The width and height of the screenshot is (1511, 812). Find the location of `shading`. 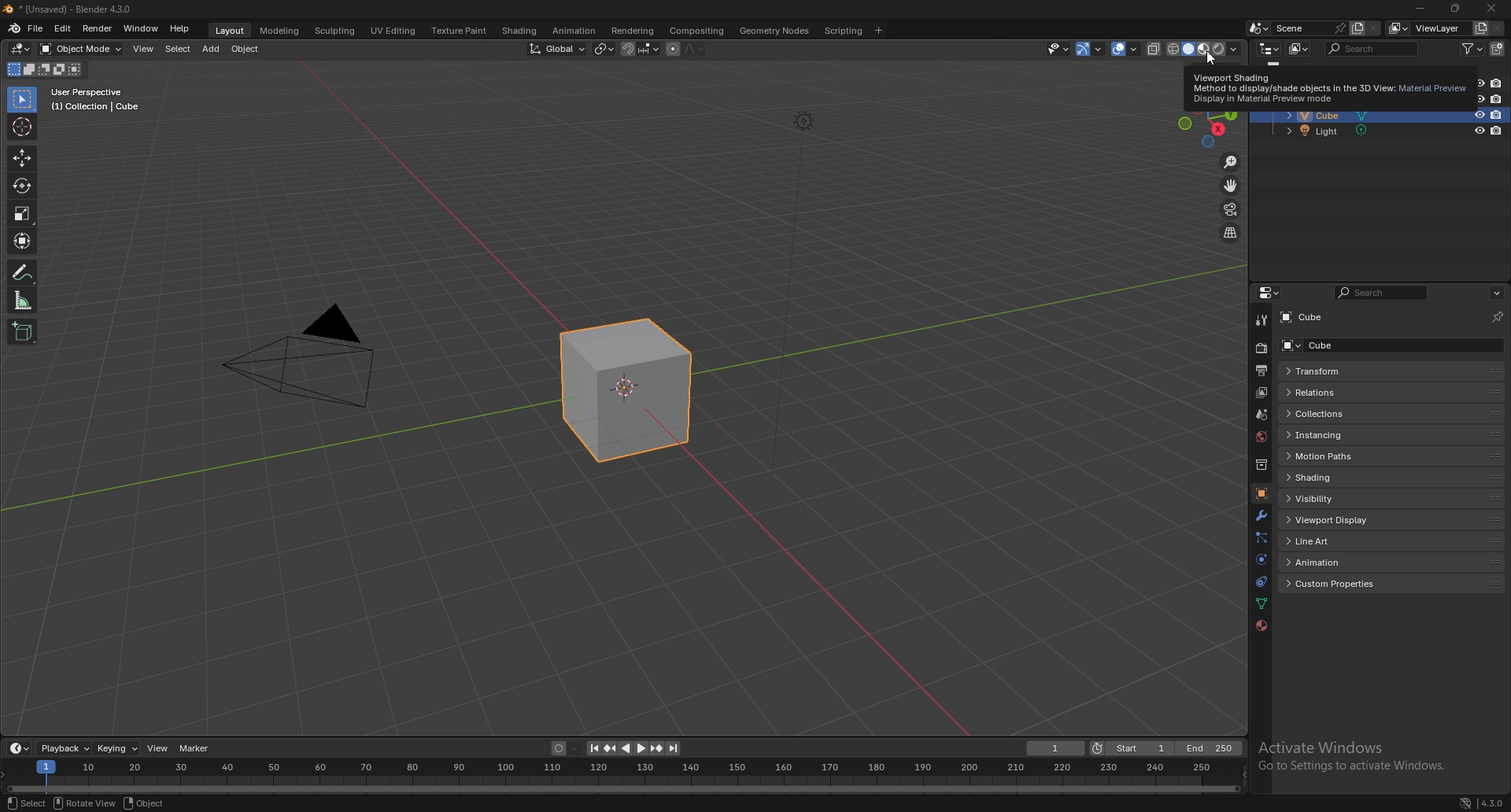

shading is located at coordinates (520, 31).